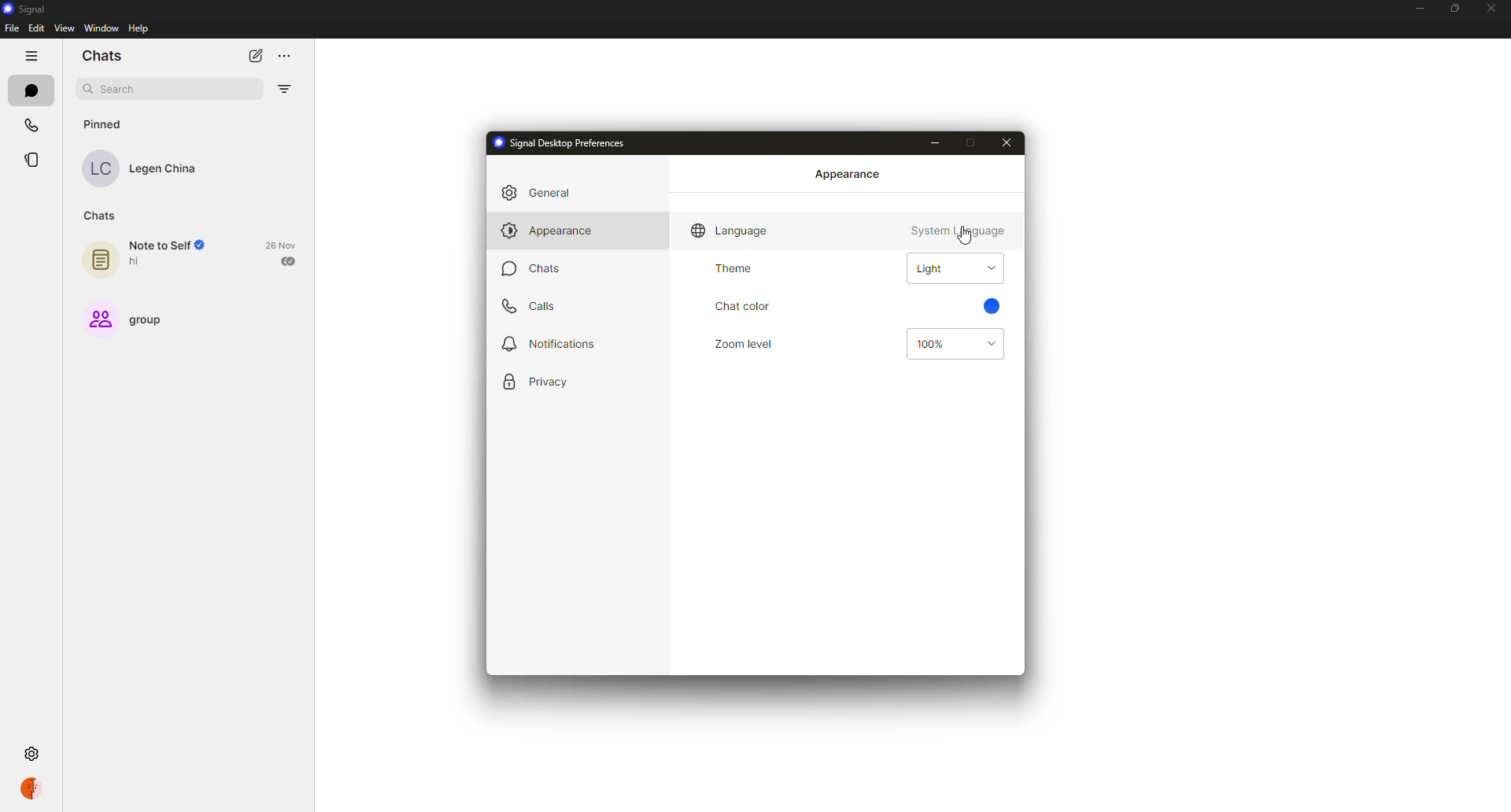  Describe the element at coordinates (33, 124) in the screenshot. I see `calls` at that location.